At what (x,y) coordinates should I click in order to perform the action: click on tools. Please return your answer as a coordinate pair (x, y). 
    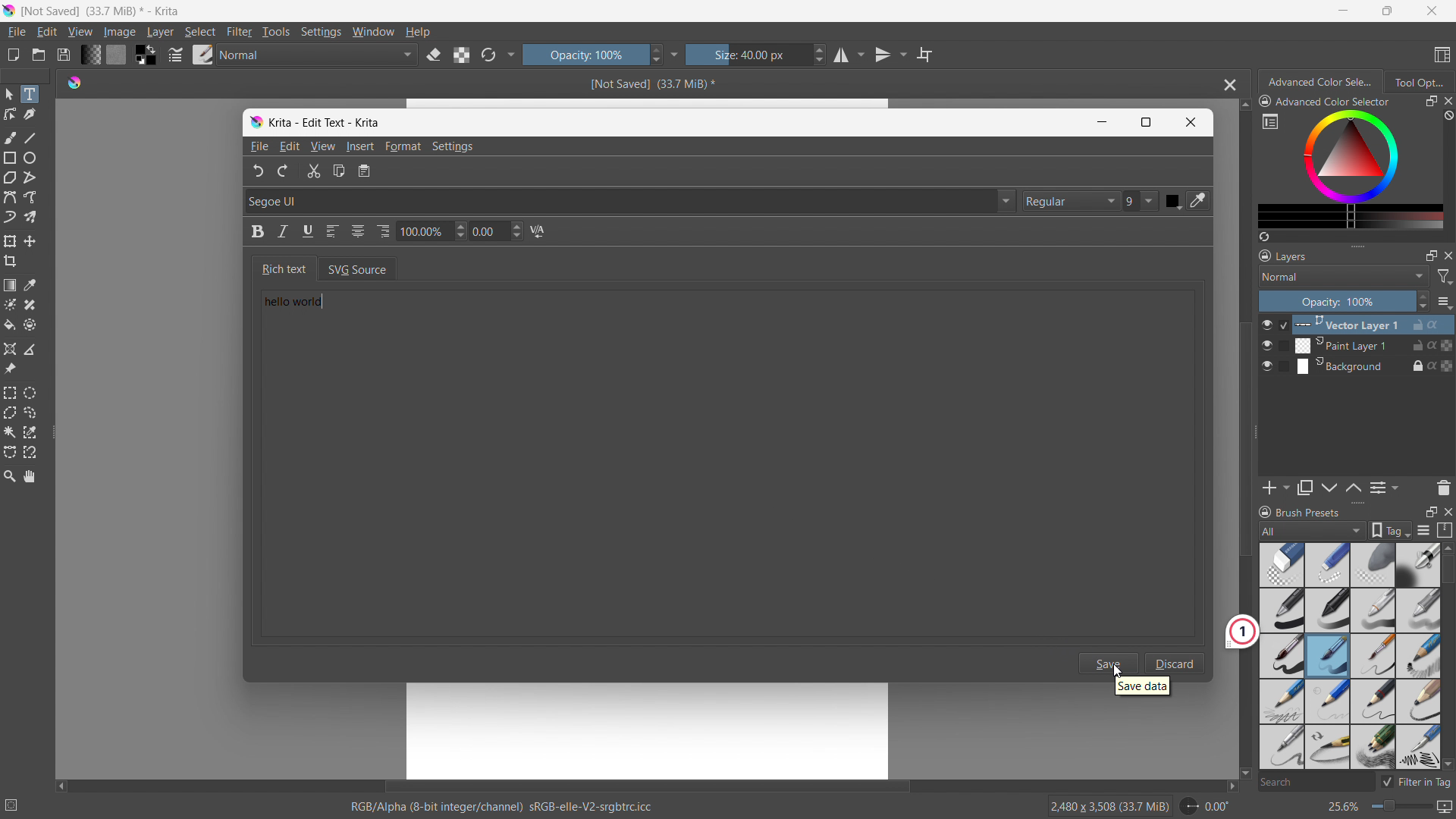
    Looking at the image, I should click on (277, 32).